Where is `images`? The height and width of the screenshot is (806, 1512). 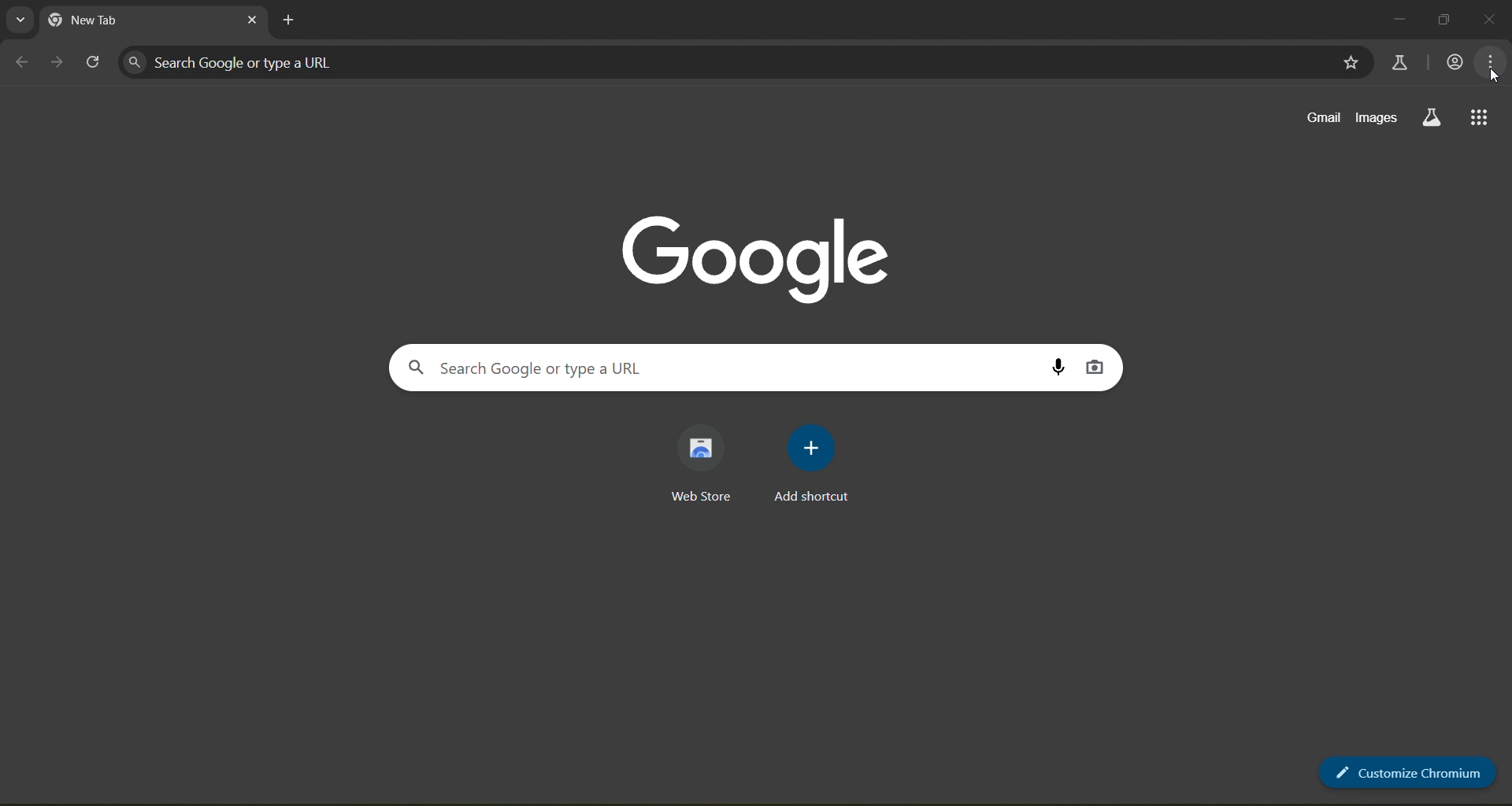
images is located at coordinates (1379, 116).